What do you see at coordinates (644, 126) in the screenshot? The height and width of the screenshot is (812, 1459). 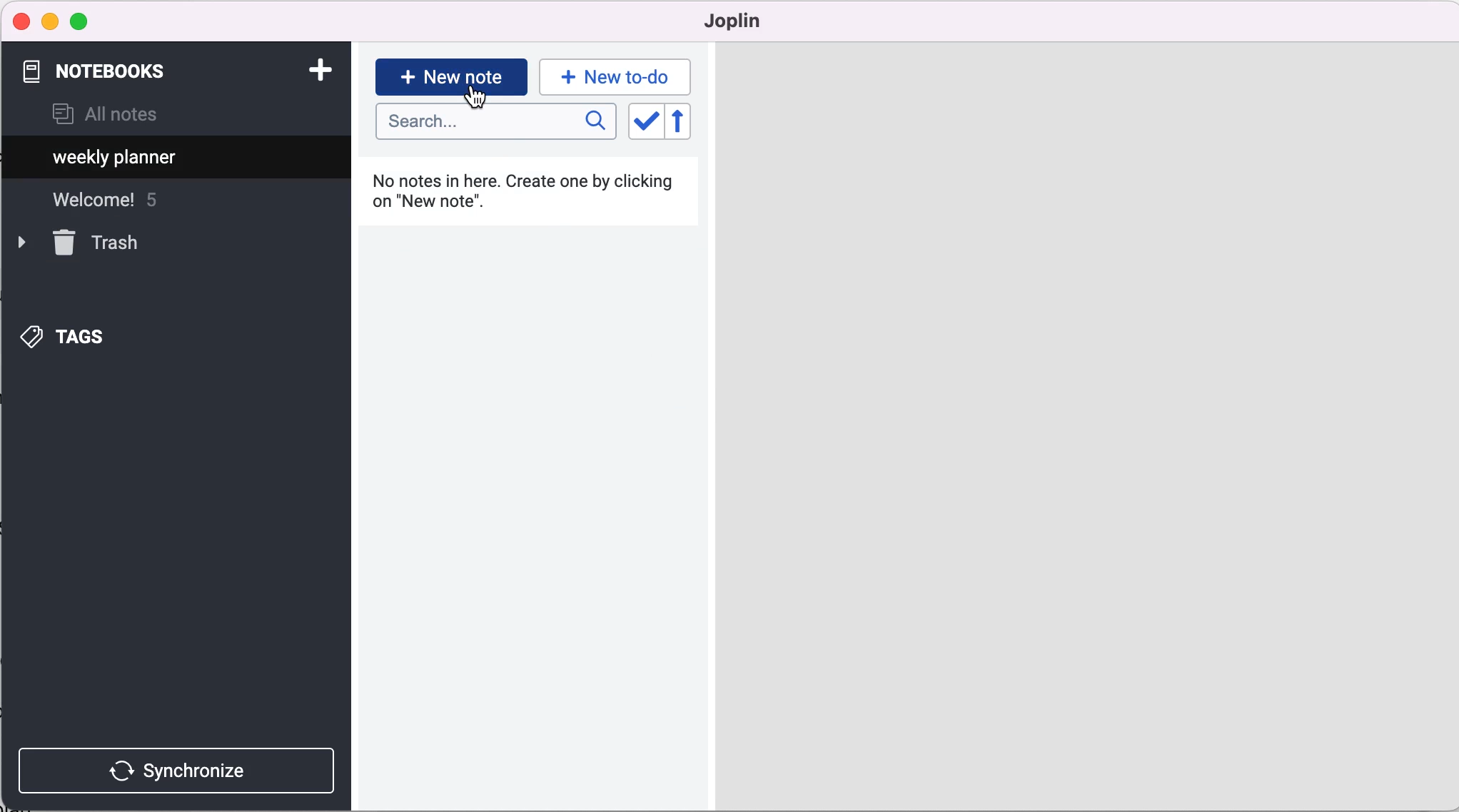 I see `toggle sort order field` at bounding box center [644, 126].